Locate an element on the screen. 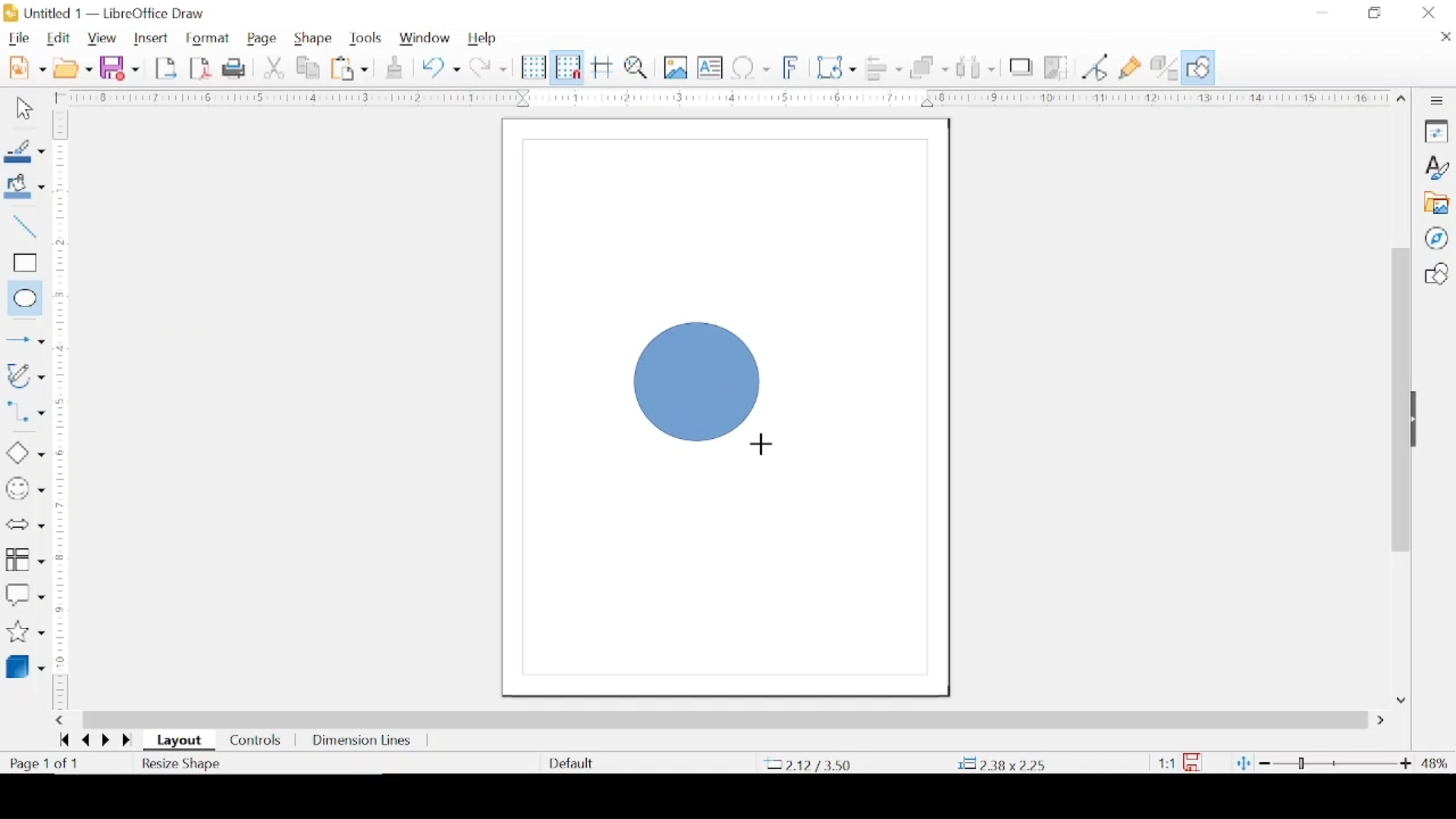 This screenshot has width=1456, height=819. coordinates is located at coordinates (998, 763).